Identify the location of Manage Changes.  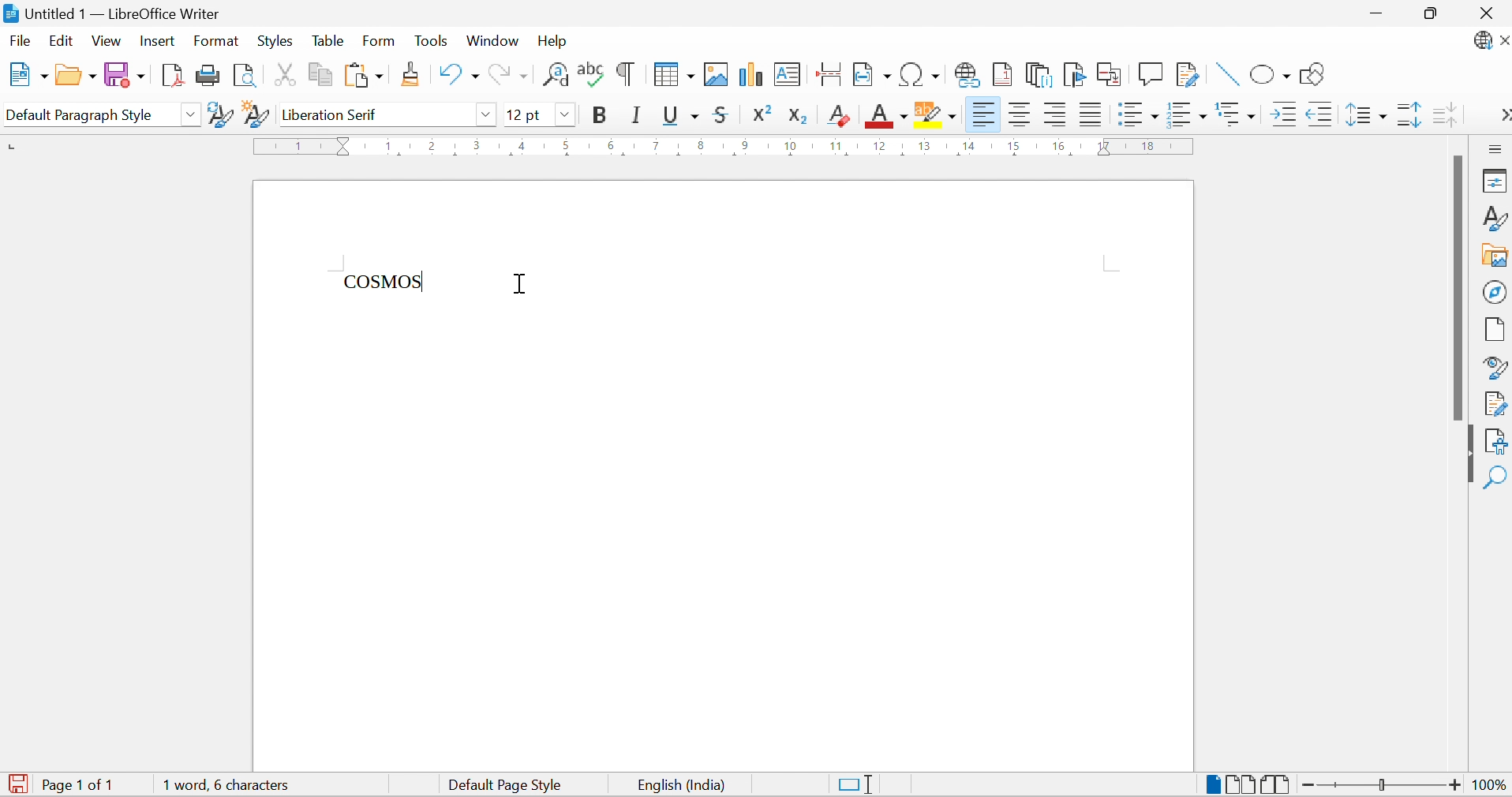
(1496, 405).